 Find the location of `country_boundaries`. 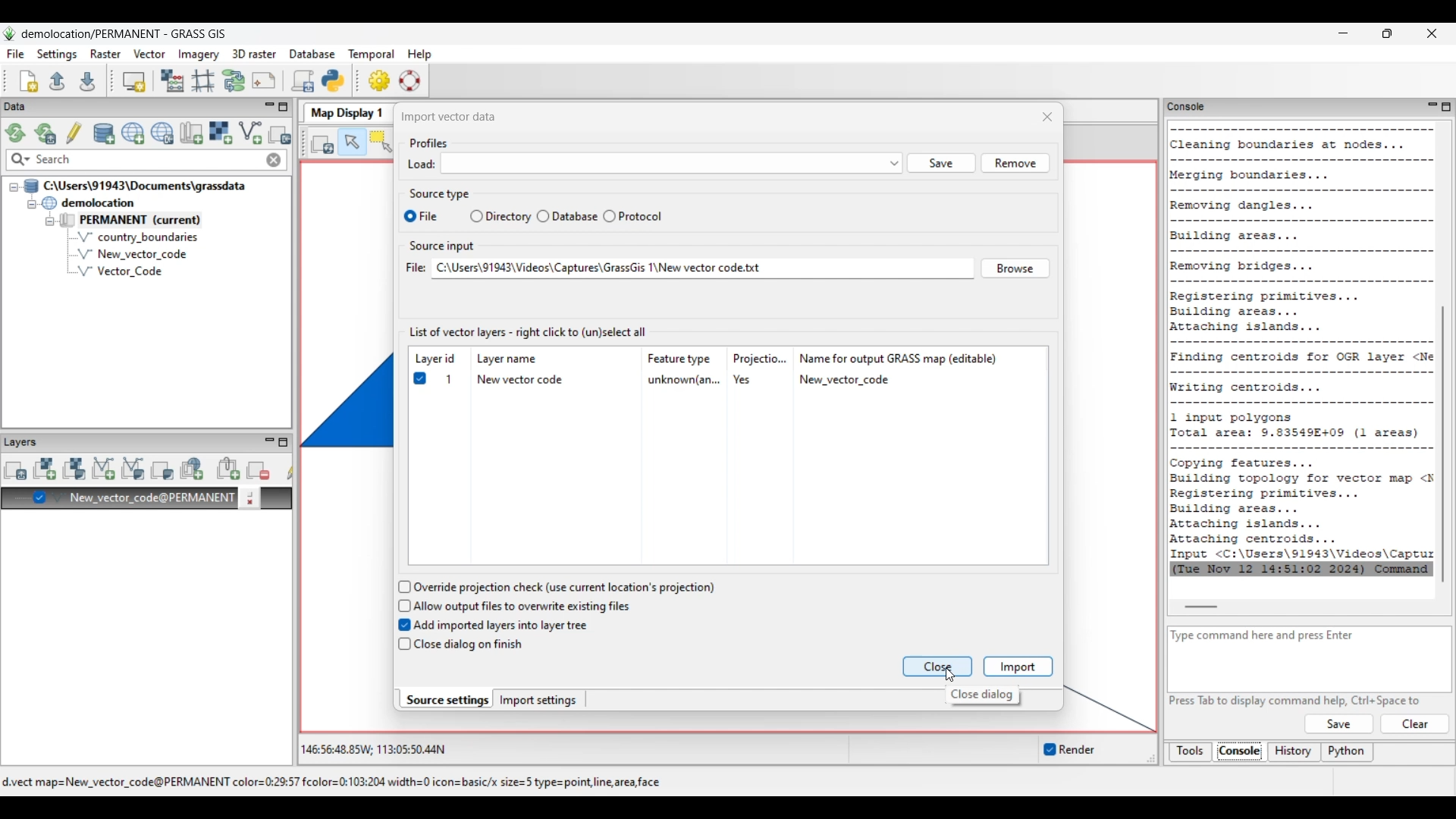

country_boundaries is located at coordinates (138, 237).